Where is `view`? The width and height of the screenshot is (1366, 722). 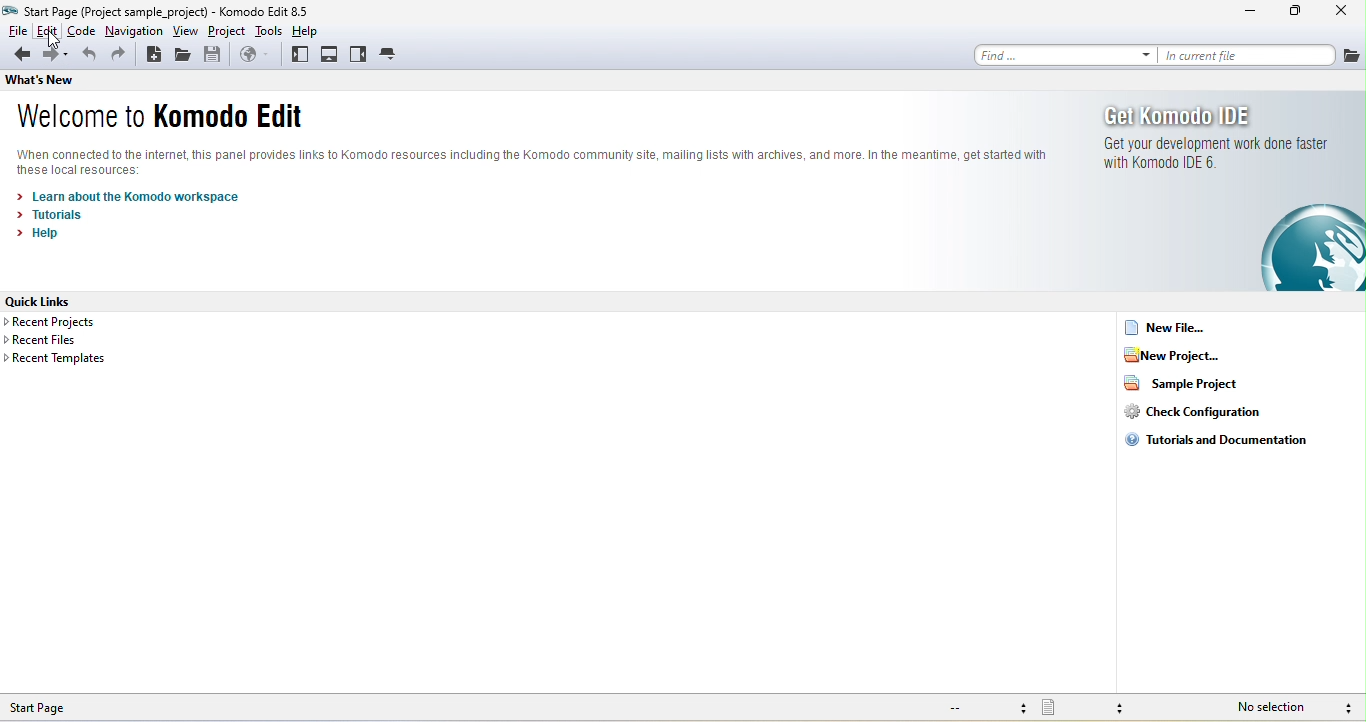 view is located at coordinates (184, 30).